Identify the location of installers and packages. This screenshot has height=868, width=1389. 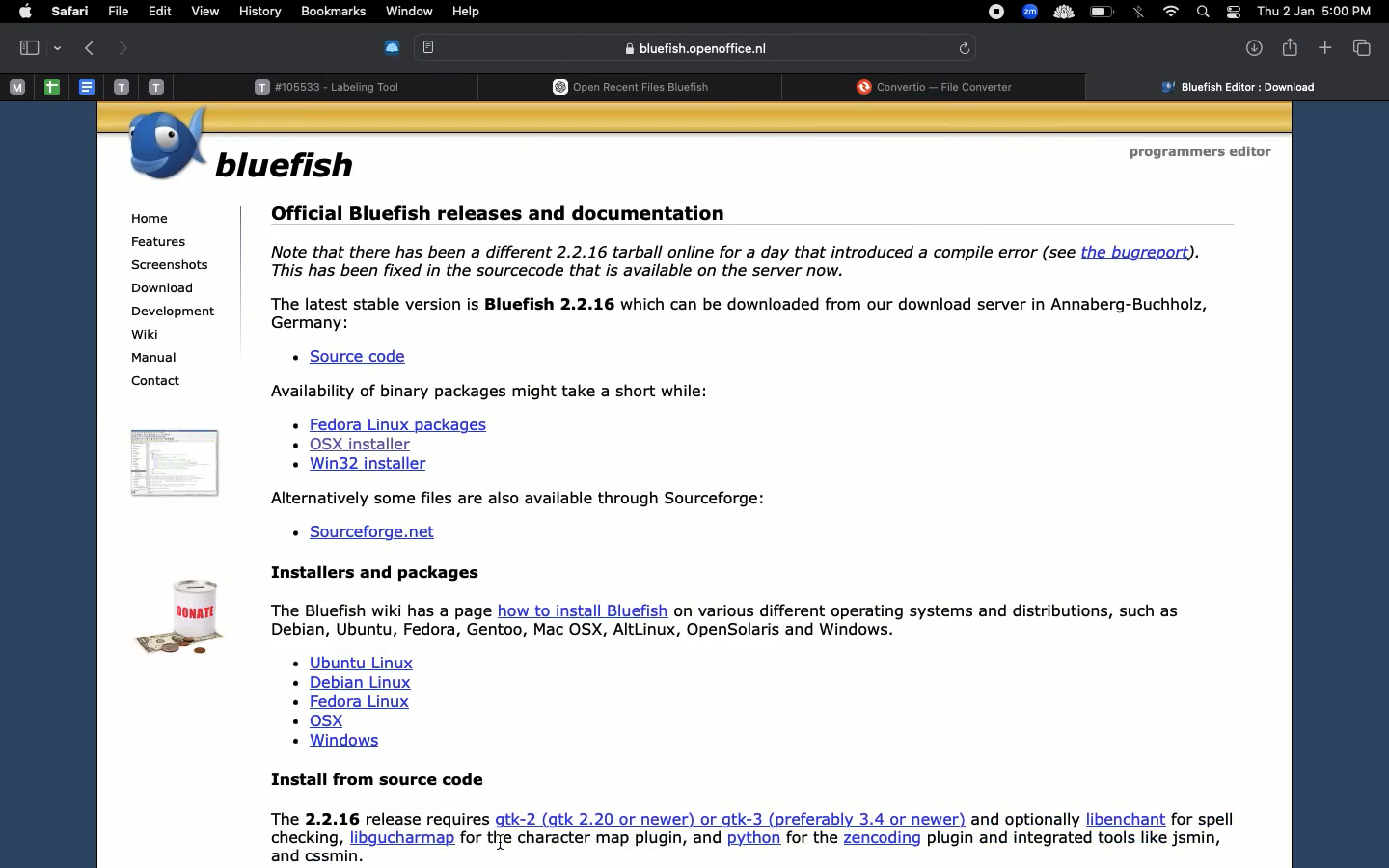
(741, 603).